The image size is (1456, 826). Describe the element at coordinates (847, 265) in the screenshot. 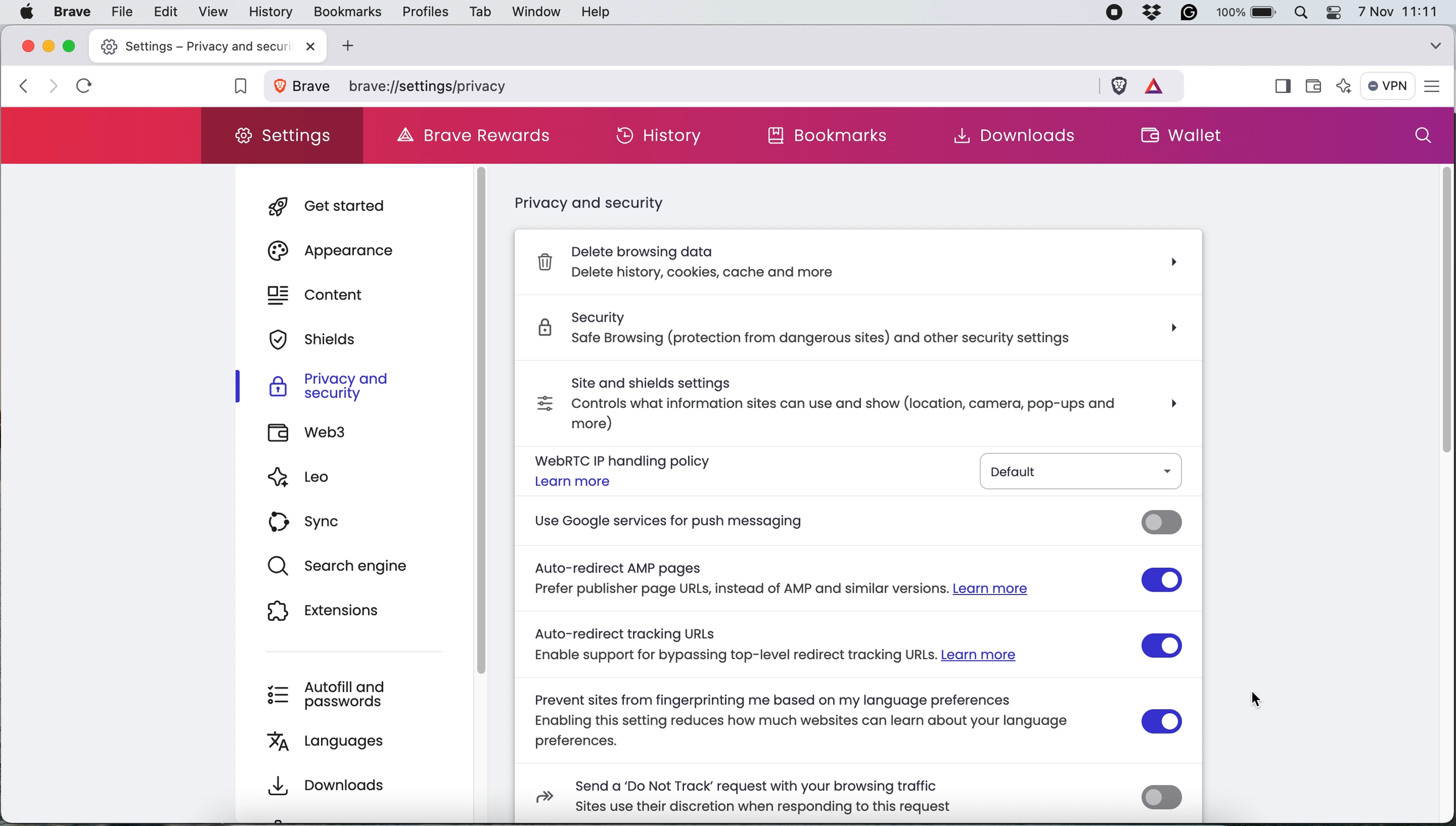

I see `Delete browsing data, Delete history, cookies, cache and more` at that location.